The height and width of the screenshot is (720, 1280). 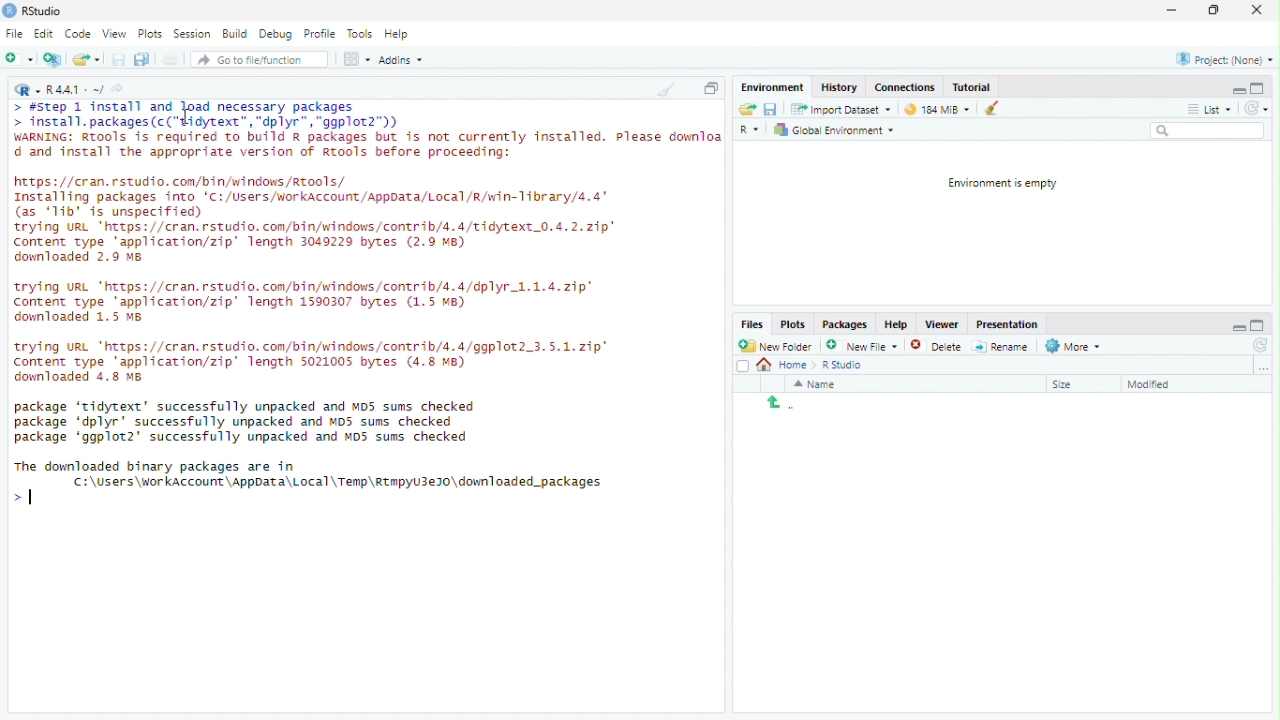 What do you see at coordinates (209, 115) in the screenshot?
I see `2 tia]. packages CoC" Tl dytent sqnlye nodes
> install. packages (c("didytext", "dplyr", “ggplot2"))` at bounding box center [209, 115].